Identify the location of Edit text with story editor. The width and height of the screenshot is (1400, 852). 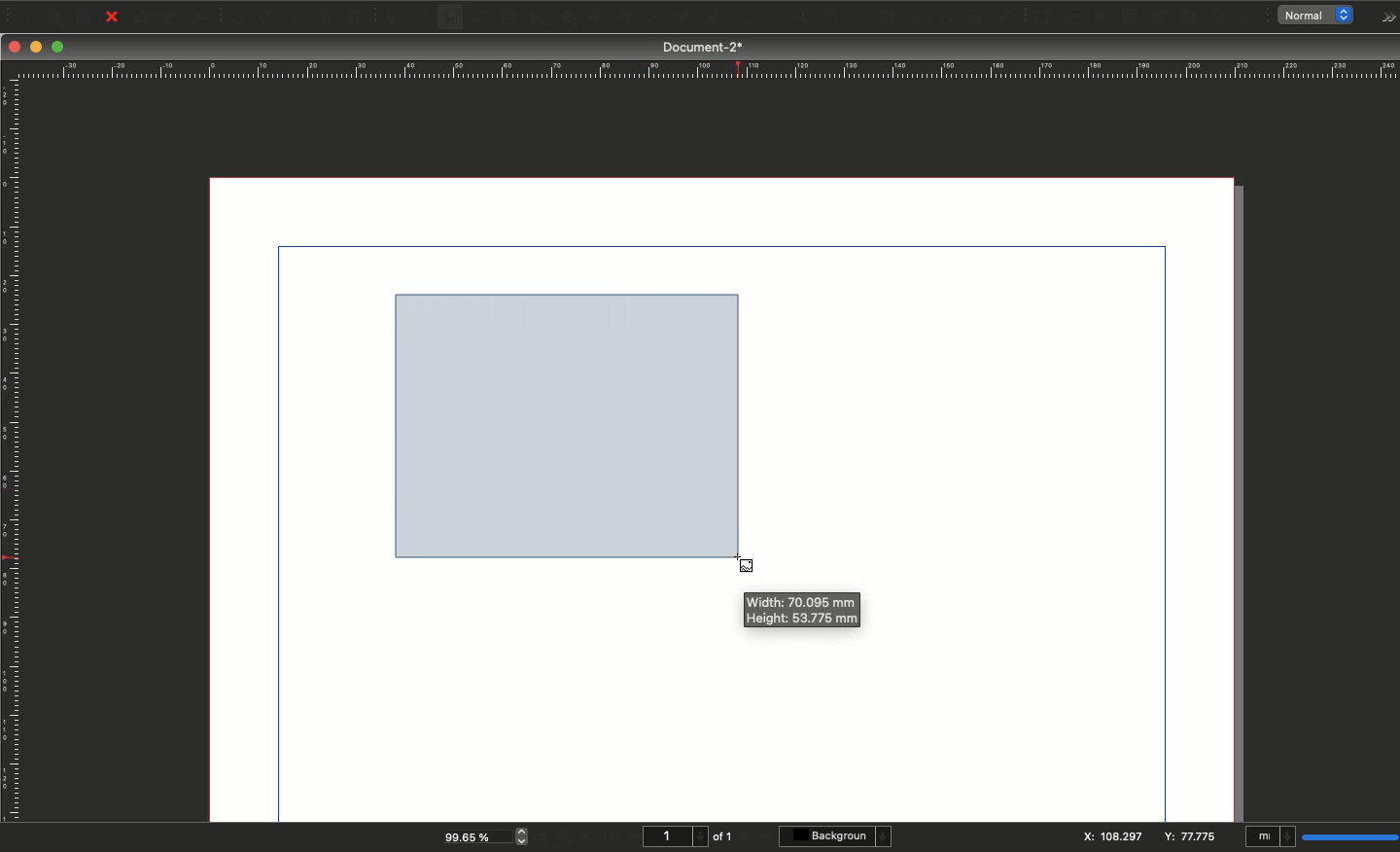
(841, 18).